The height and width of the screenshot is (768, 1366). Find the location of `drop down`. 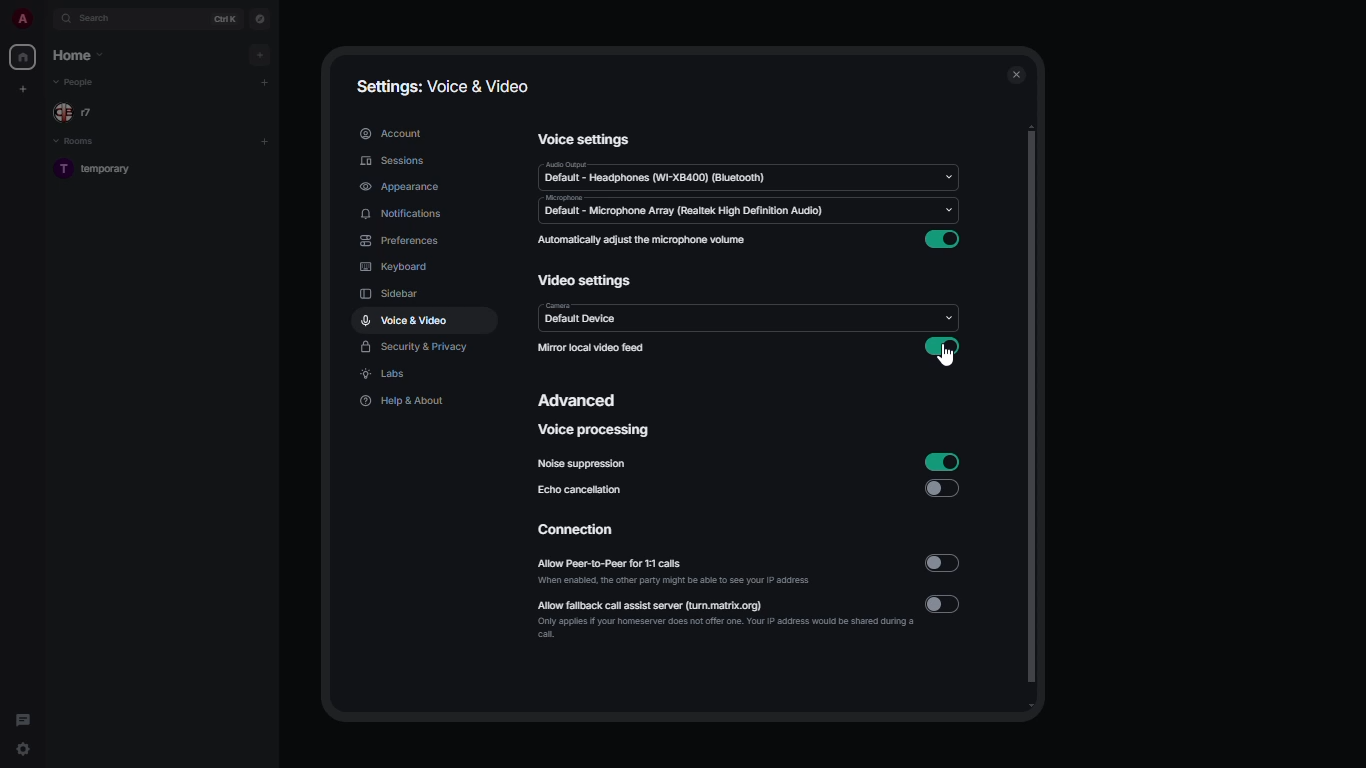

drop down is located at coordinates (950, 211).